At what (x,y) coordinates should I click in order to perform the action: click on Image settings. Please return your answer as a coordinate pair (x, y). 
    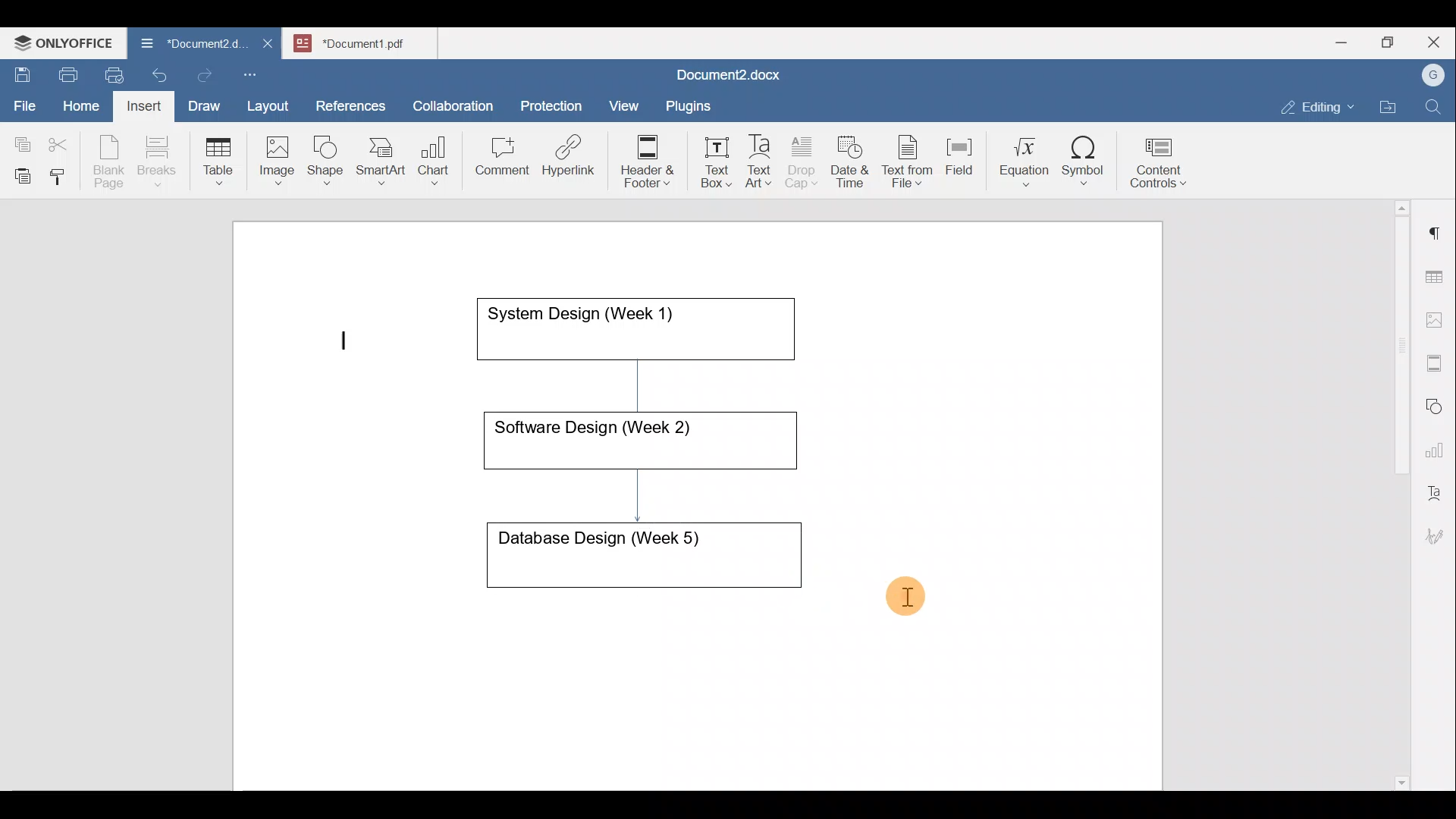
    Looking at the image, I should click on (1437, 318).